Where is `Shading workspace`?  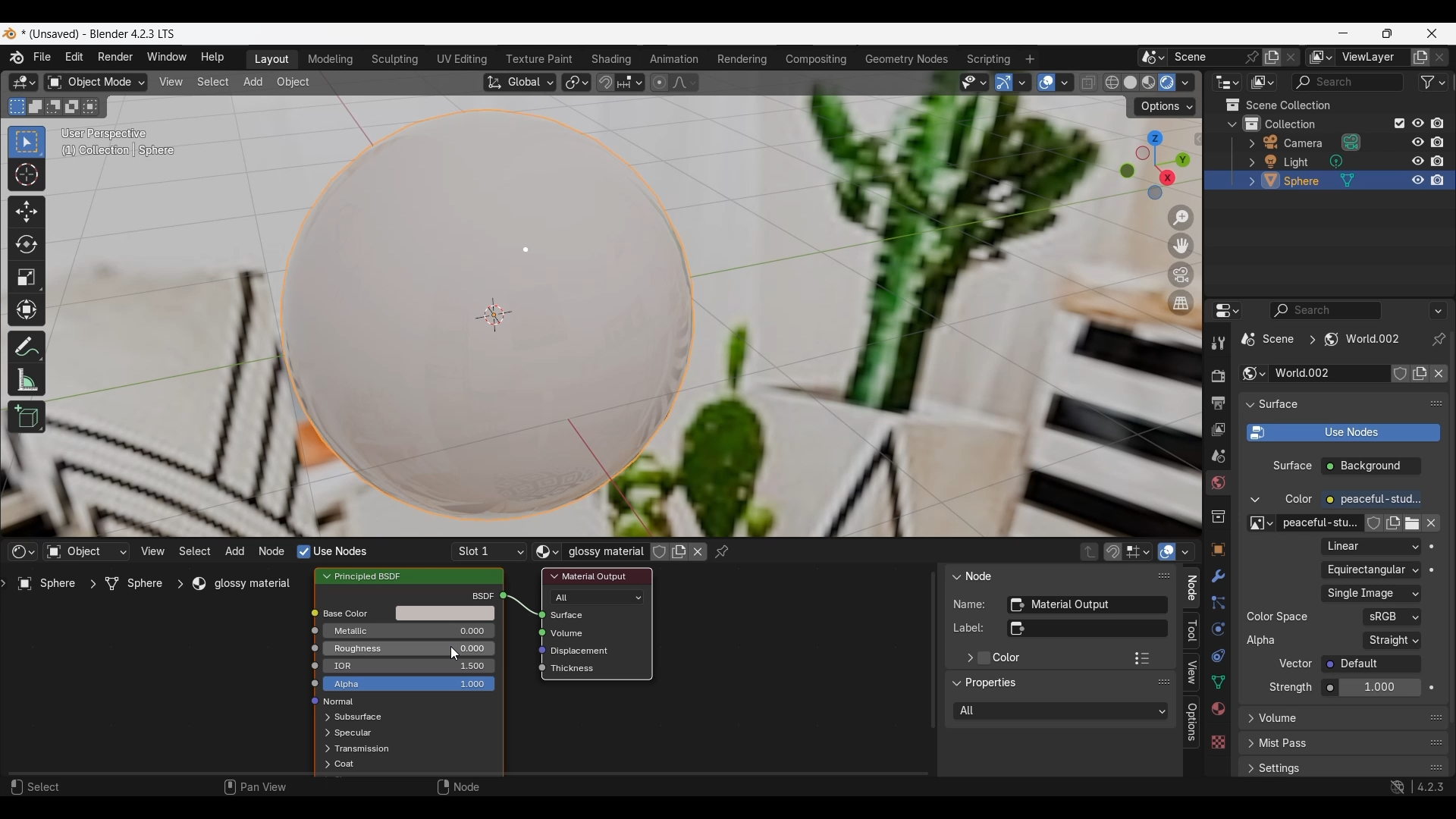 Shading workspace is located at coordinates (611, 60).